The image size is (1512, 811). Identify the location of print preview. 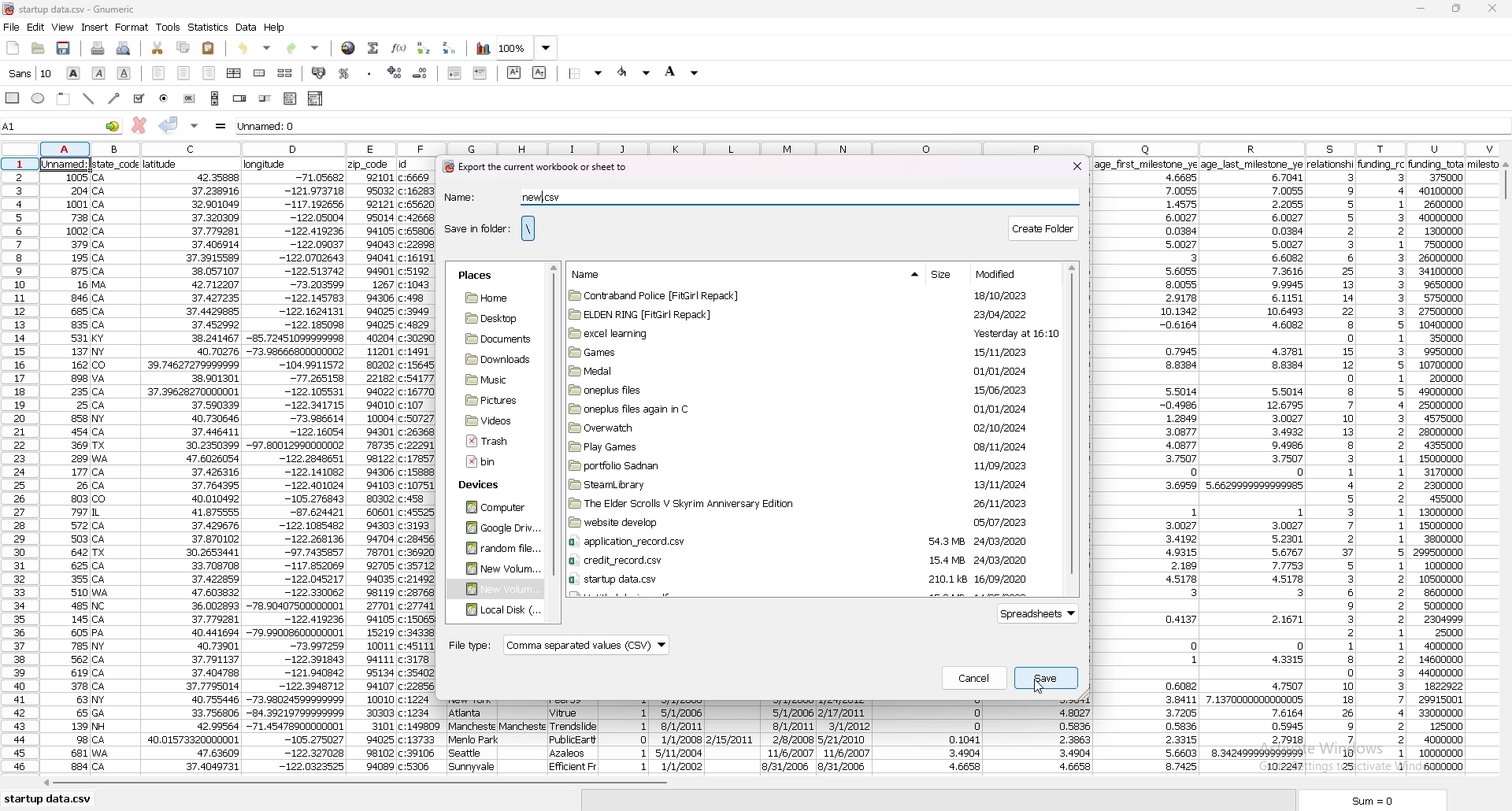
(124, 49).